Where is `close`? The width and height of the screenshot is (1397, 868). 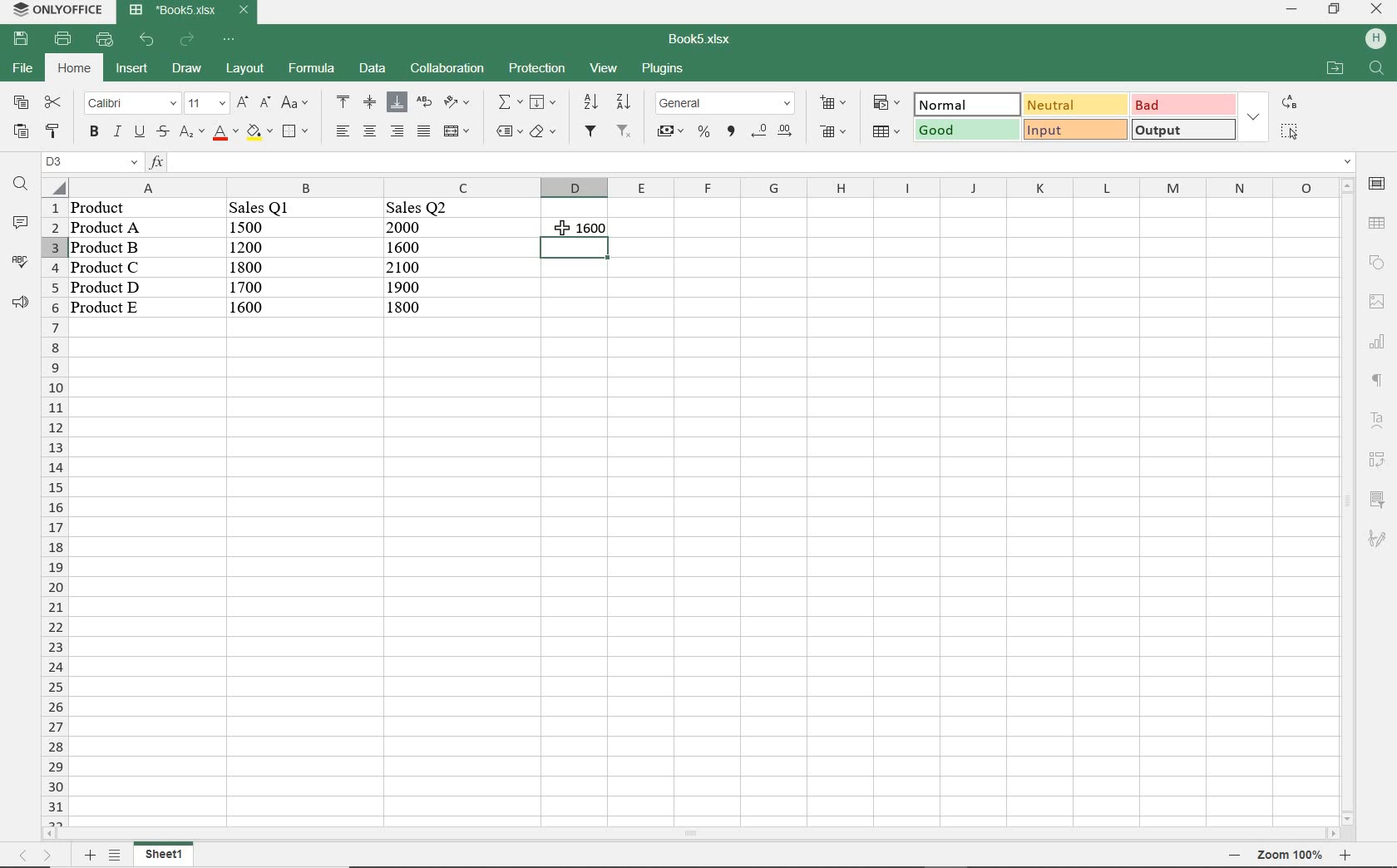
close is located at coordinates (1379, 8).